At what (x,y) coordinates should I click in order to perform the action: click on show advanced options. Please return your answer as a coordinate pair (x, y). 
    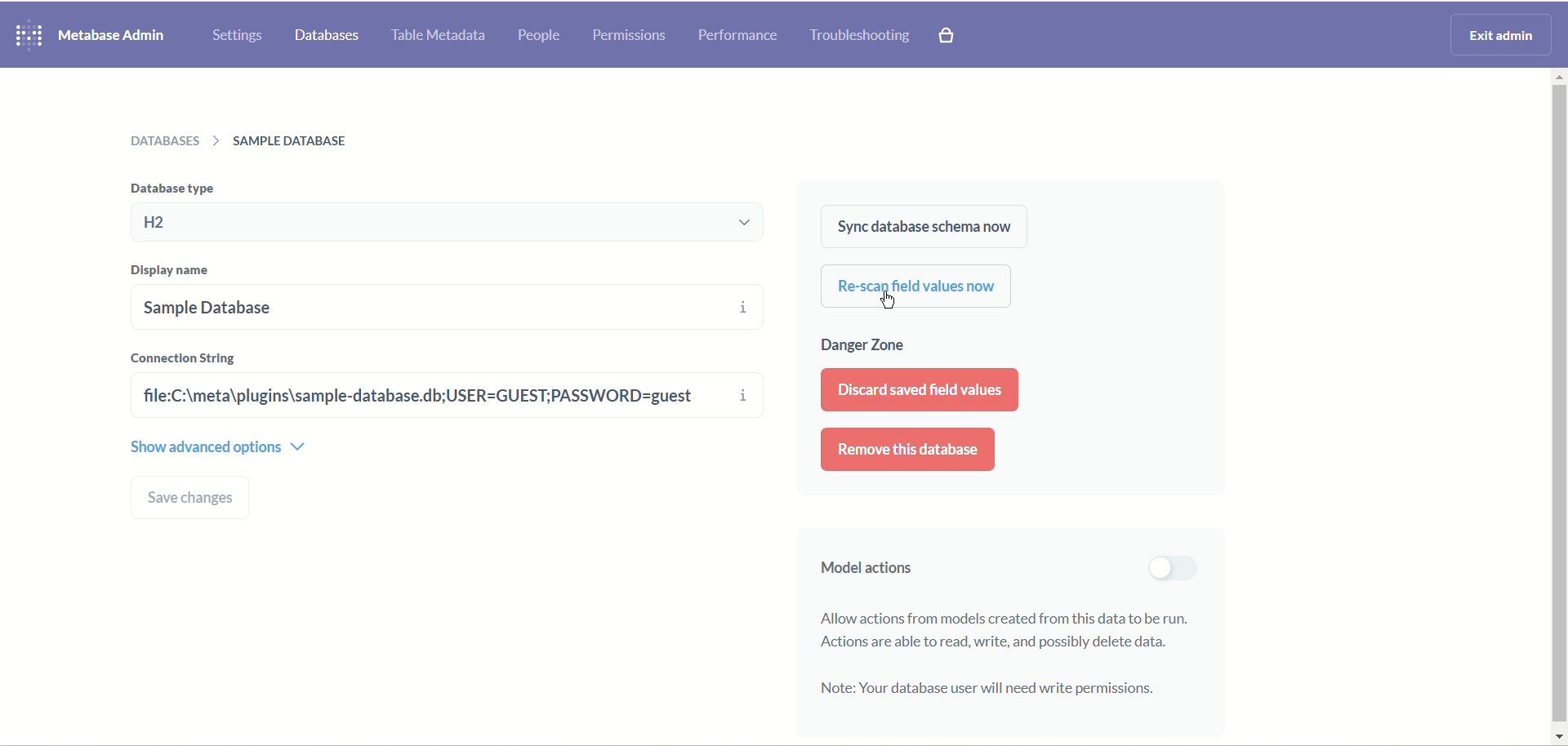
    Looking at the image, I should click on (219, 445).